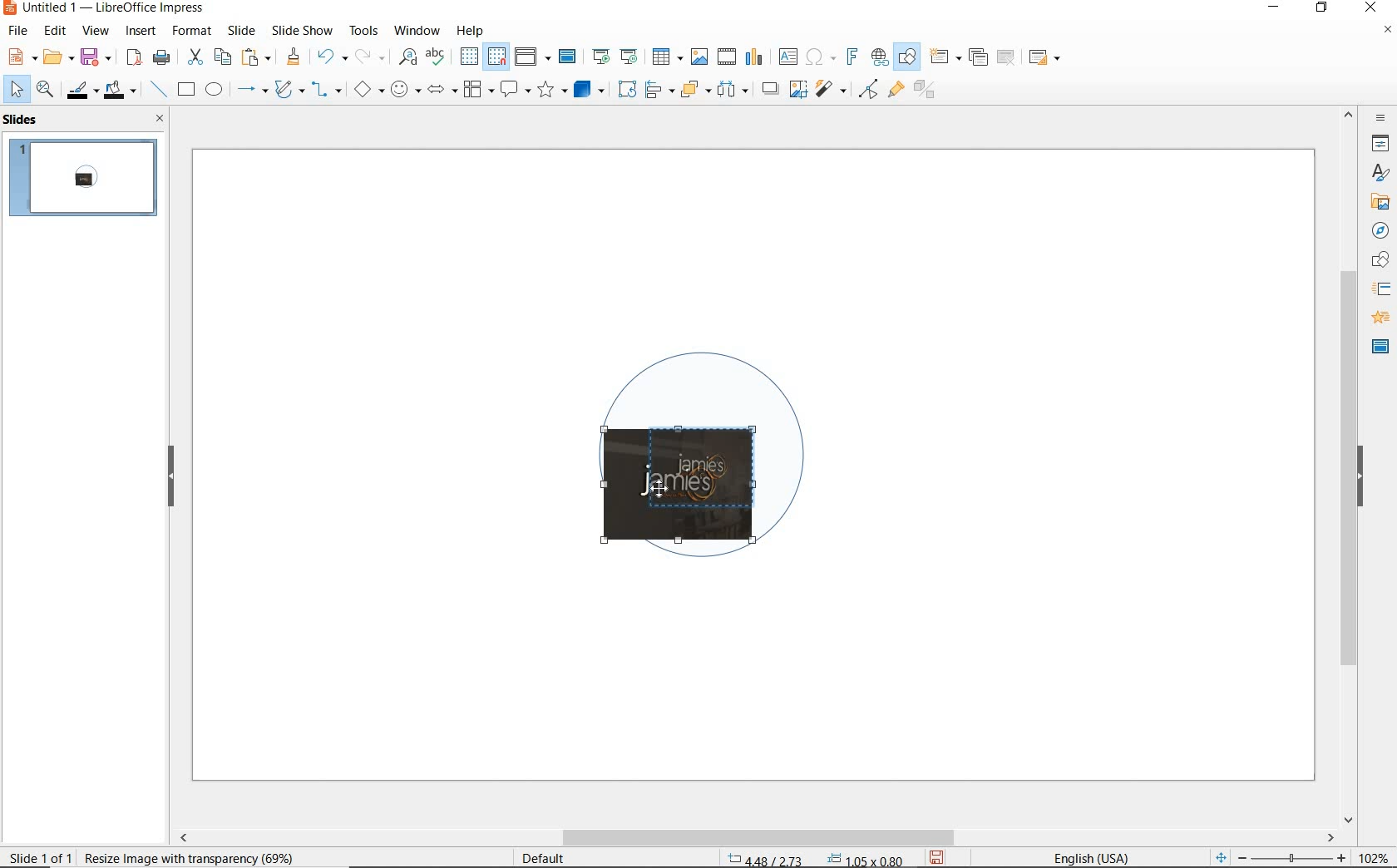  Describe the element at coordinates (533, 58) in the screenshot. I see `display views` at that location.